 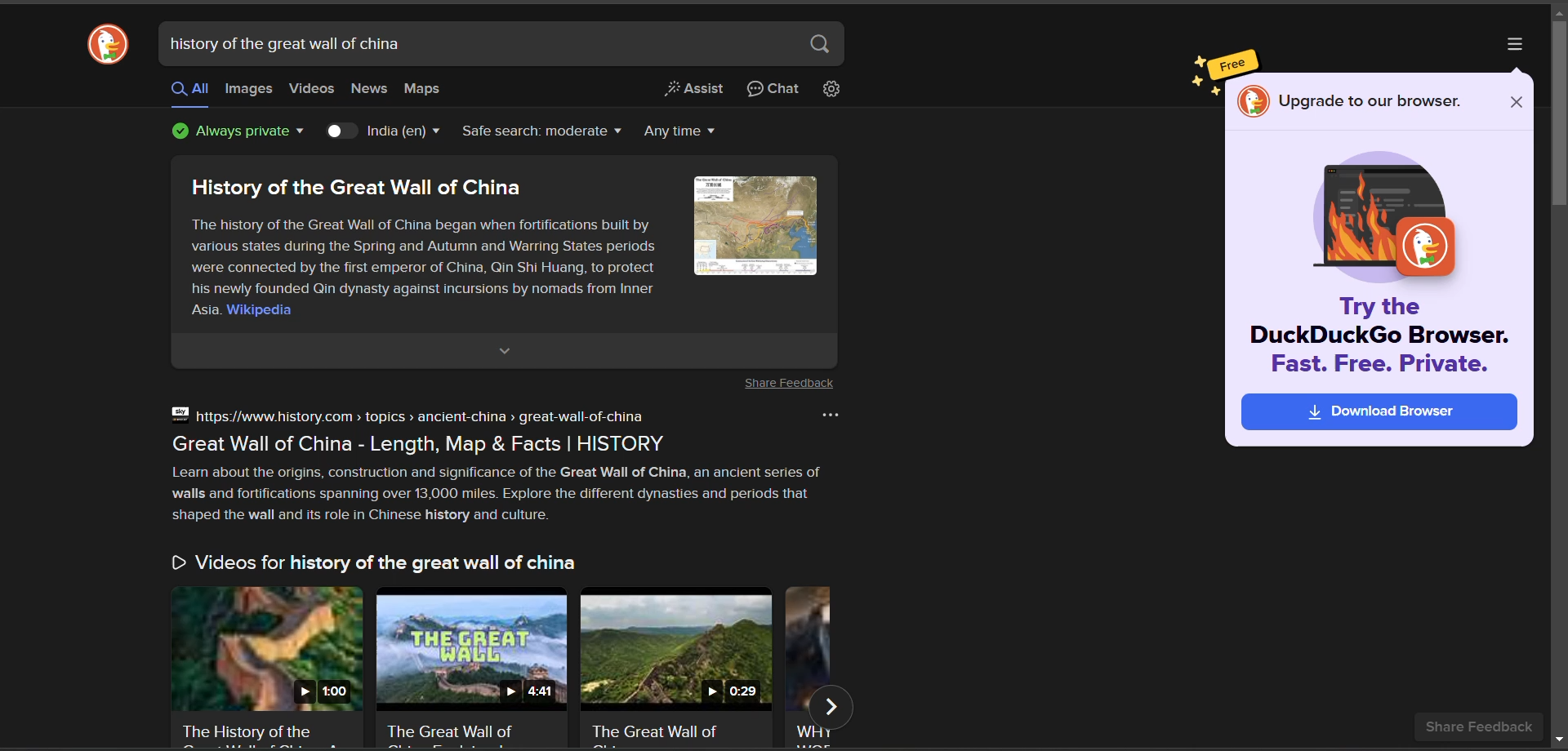 What do you see at coordinates (241, 132) in the screenshot?
I see `privacy protection badge` at bounding box center [241, 132].